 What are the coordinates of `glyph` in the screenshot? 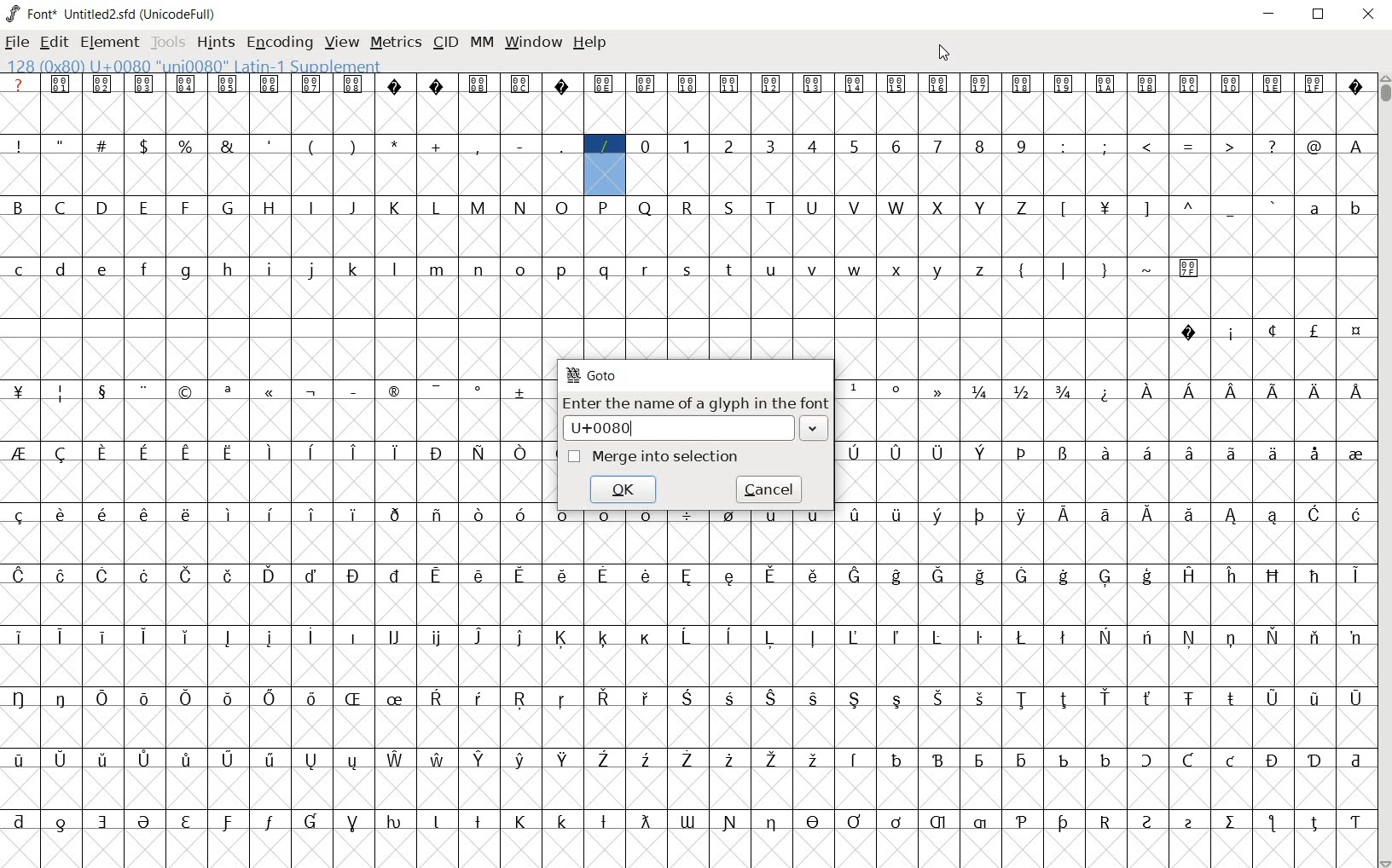 It's located at (481, 576).